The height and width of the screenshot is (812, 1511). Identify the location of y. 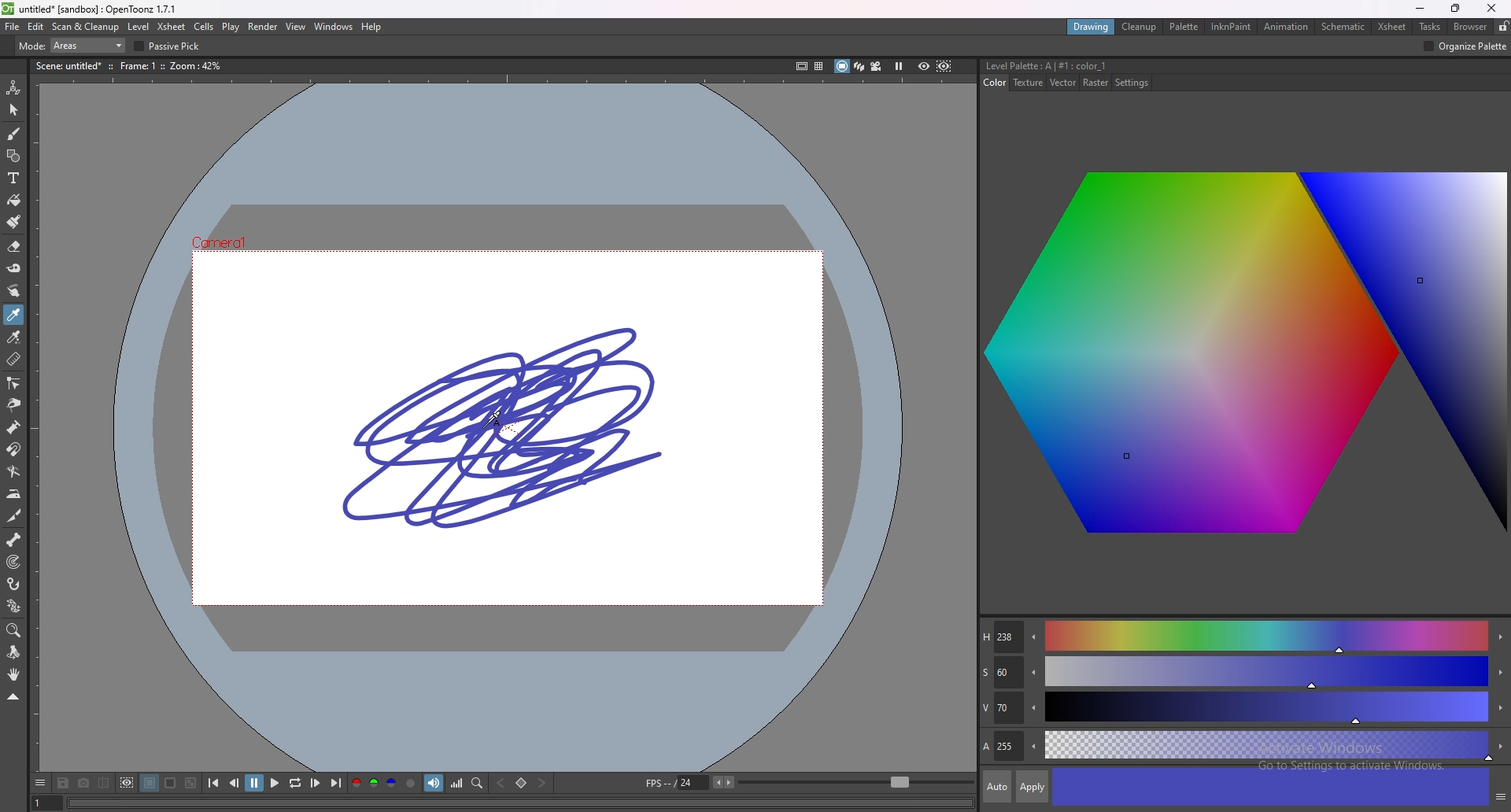
(1038, 46).